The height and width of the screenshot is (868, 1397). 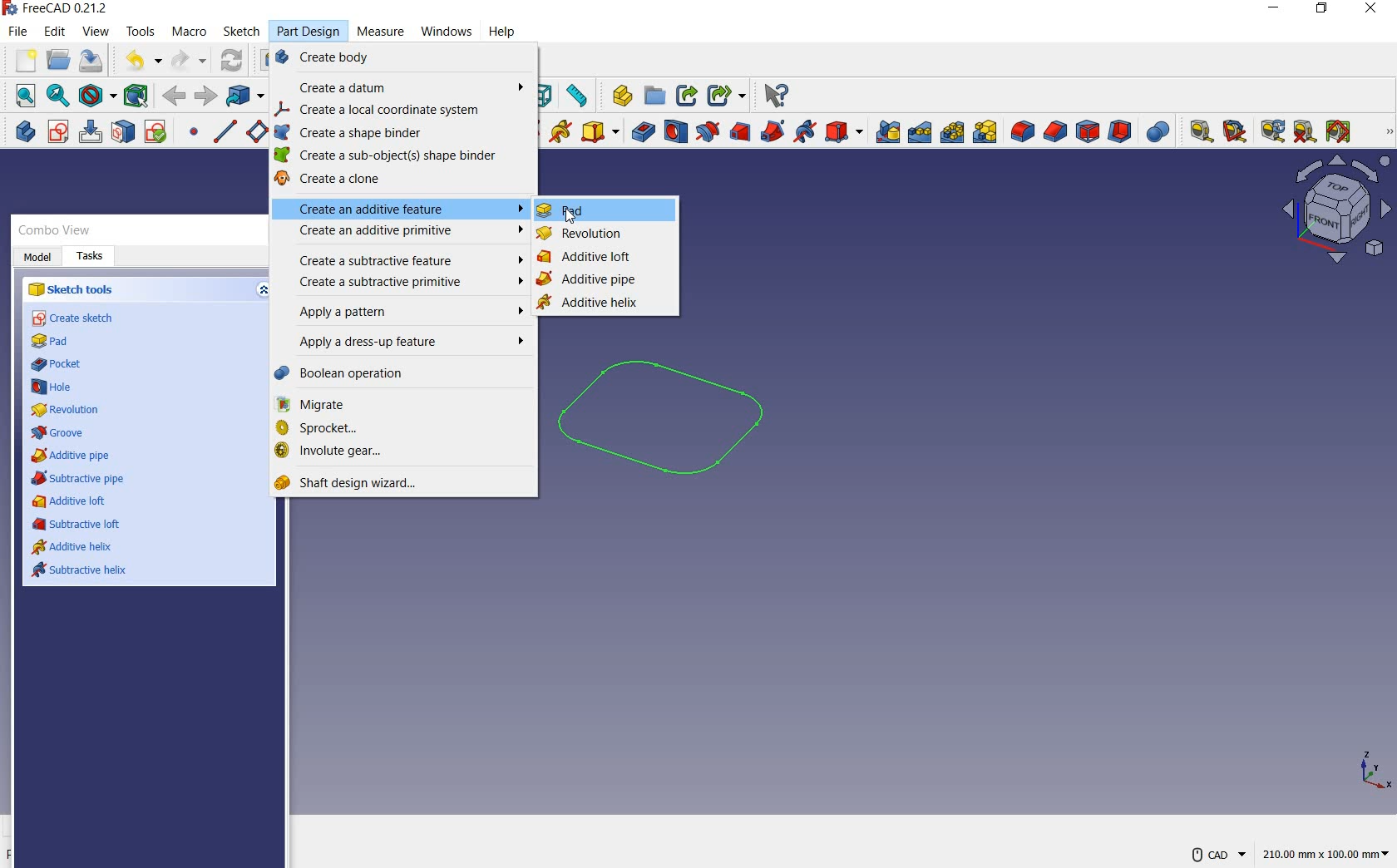 I want to click on tools, so click(x=143, y=33).